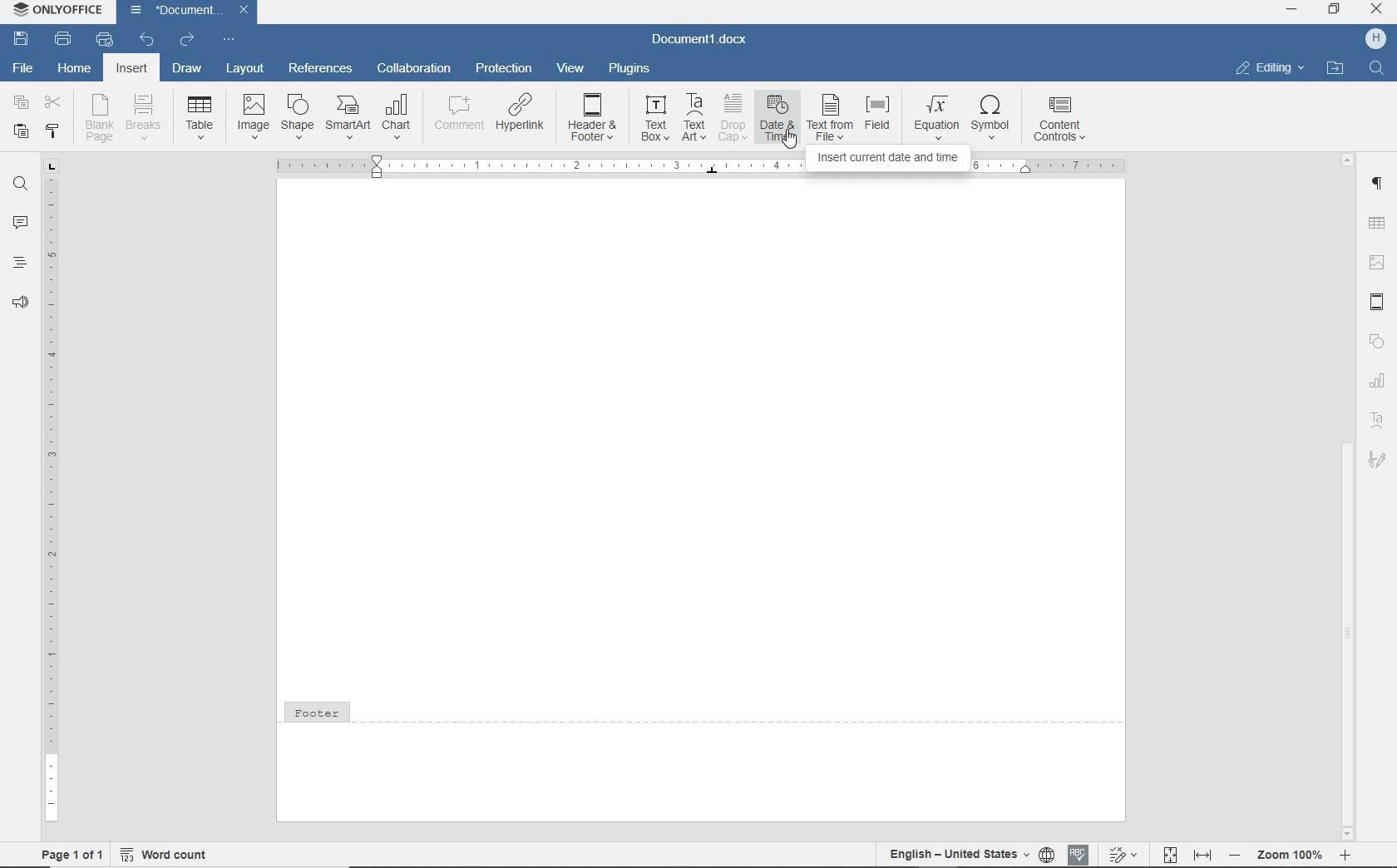  I want to click on table, so click(201, 115).